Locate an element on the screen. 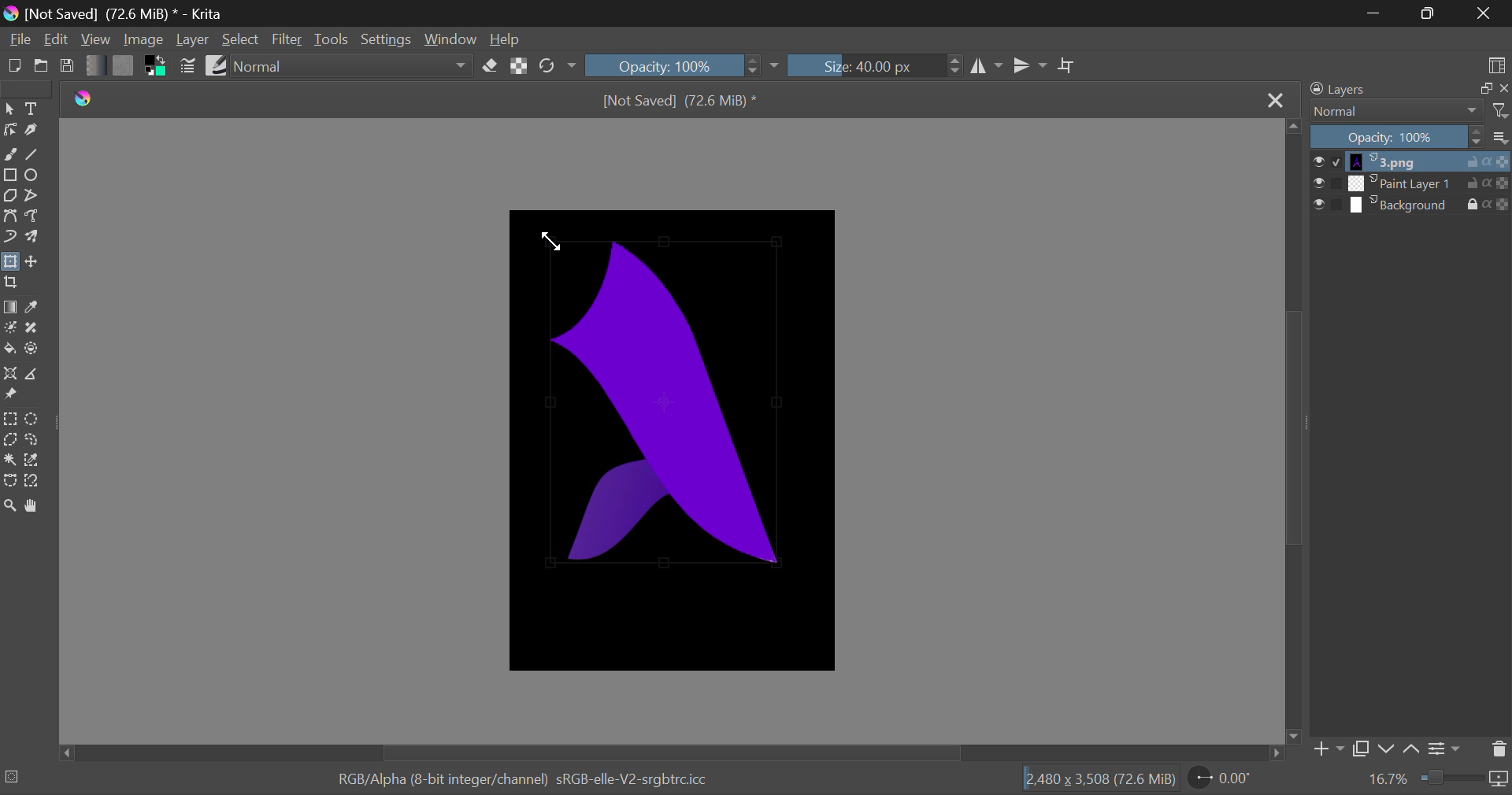  Blending Modes is located at coordinates (1395, 113).